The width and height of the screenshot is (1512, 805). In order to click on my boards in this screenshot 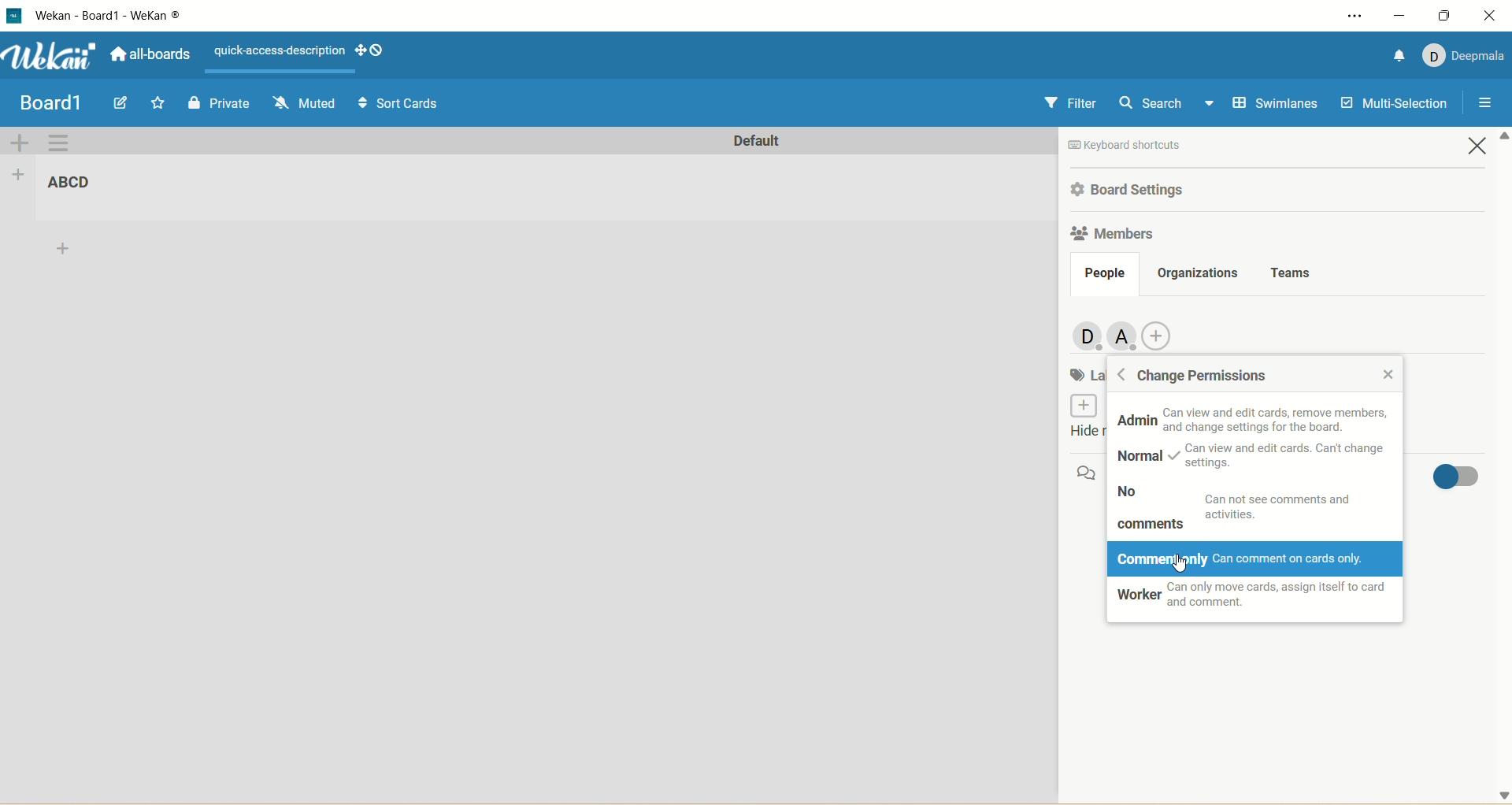, I will do `click(68, 100)`.